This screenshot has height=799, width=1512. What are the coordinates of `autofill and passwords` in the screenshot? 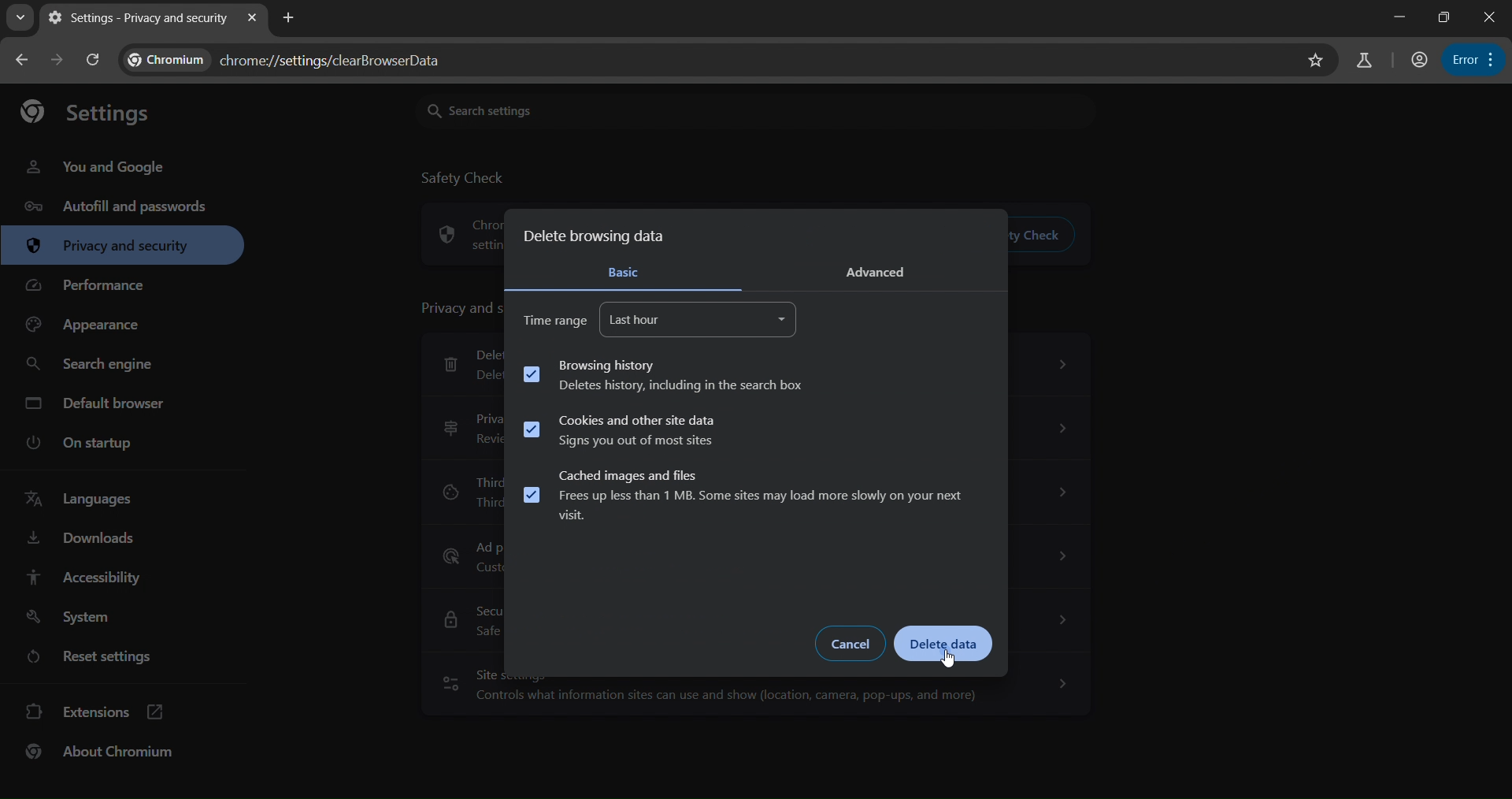 It's located at (120, 210).